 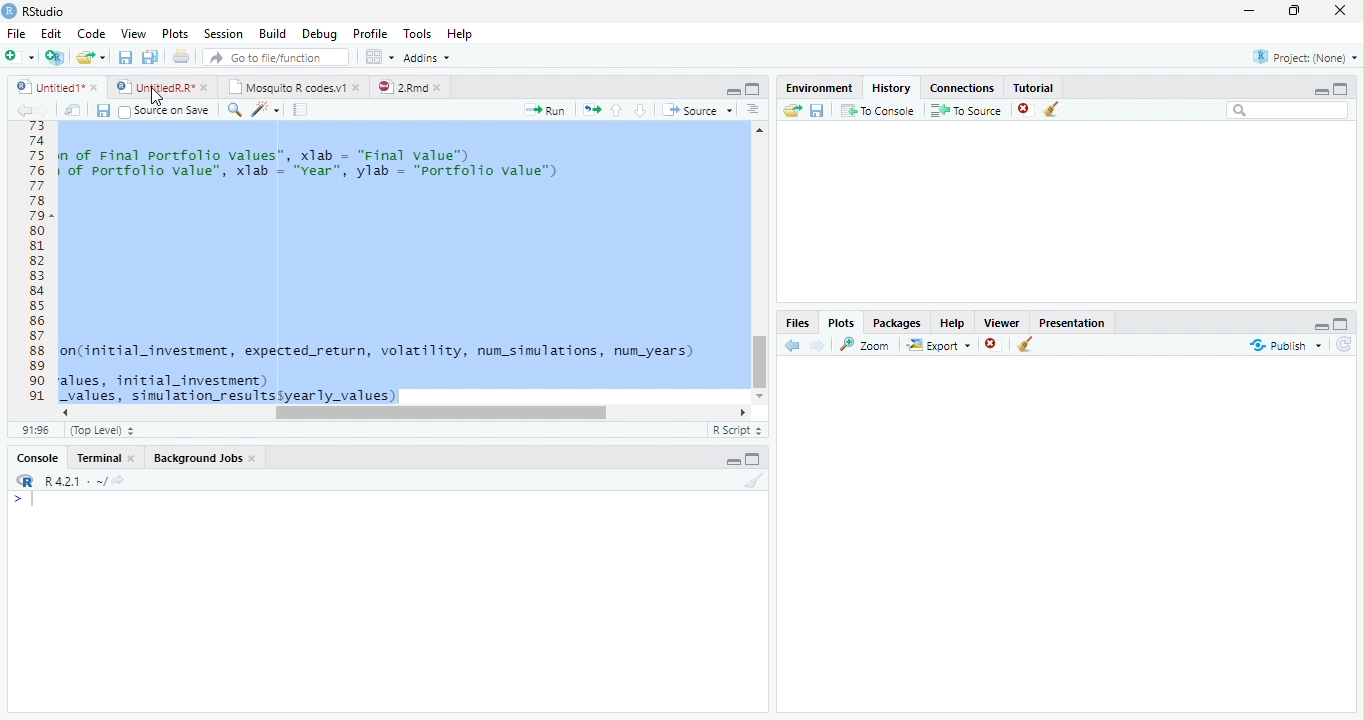 What do you see at coordinates (440, 412) in the screenshot?
I see `Scroll bar` at bounding box center [440, 412].